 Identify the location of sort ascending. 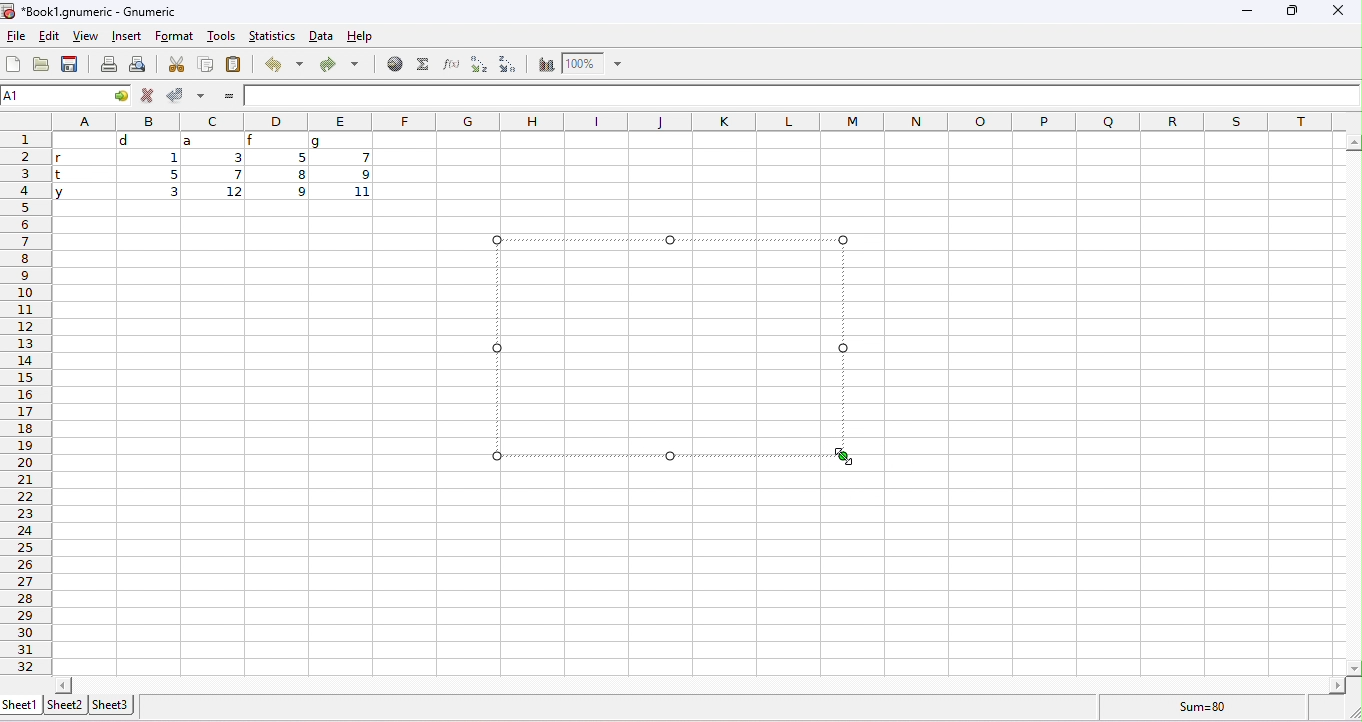
(477, 64).